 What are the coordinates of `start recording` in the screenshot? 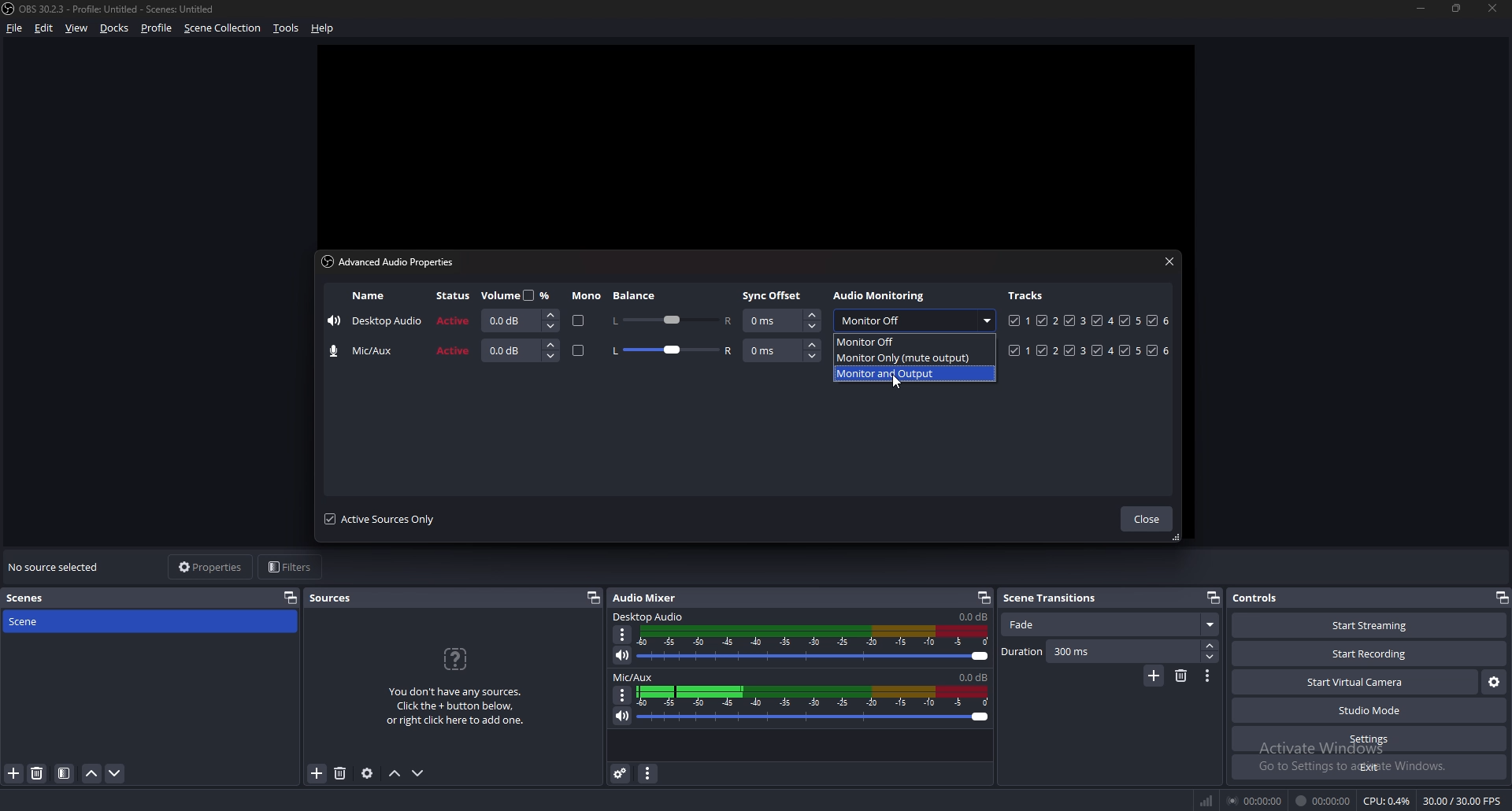 It's located at (1371, 654).